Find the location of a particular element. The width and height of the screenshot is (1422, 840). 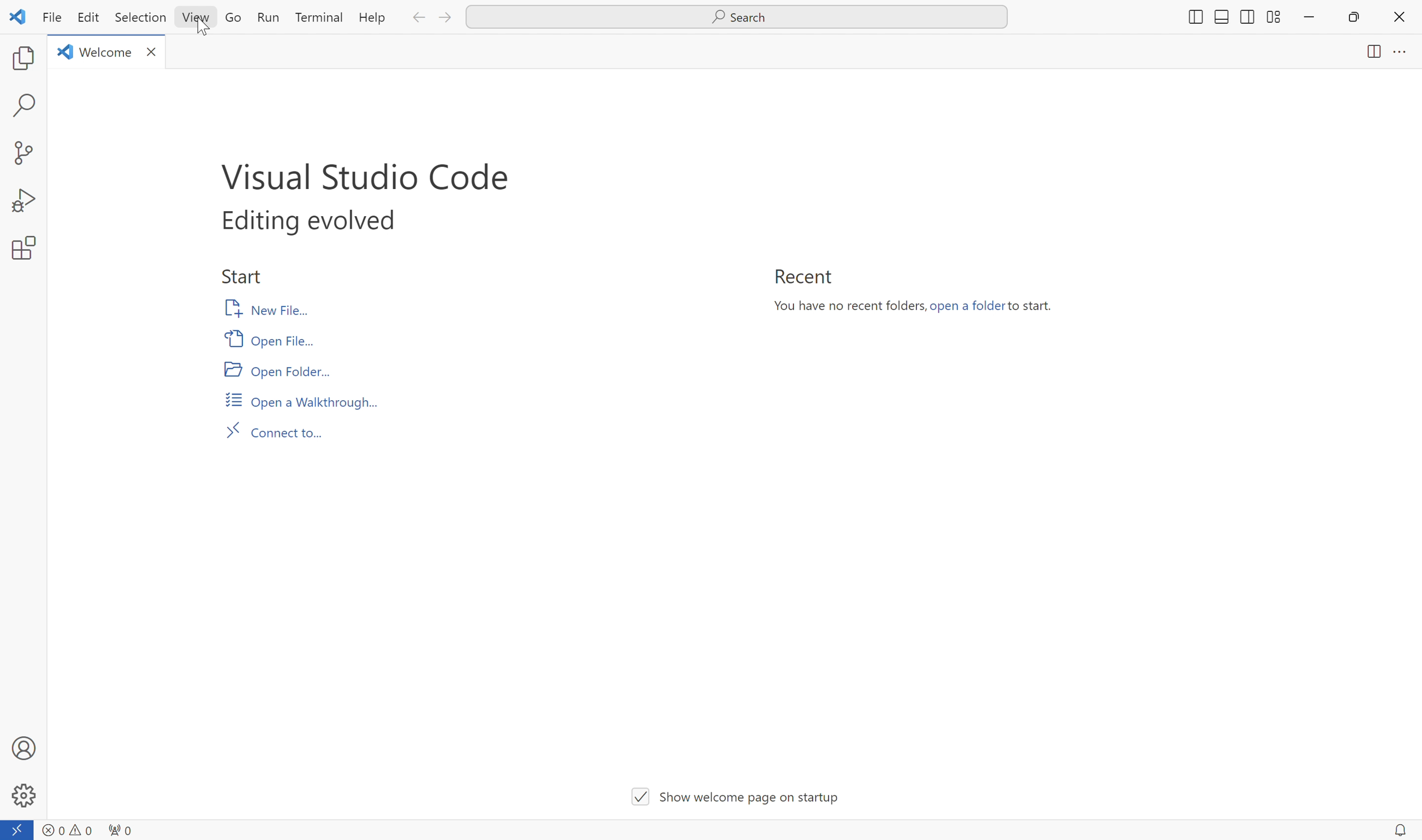

start is located at coordinates (246, 278).